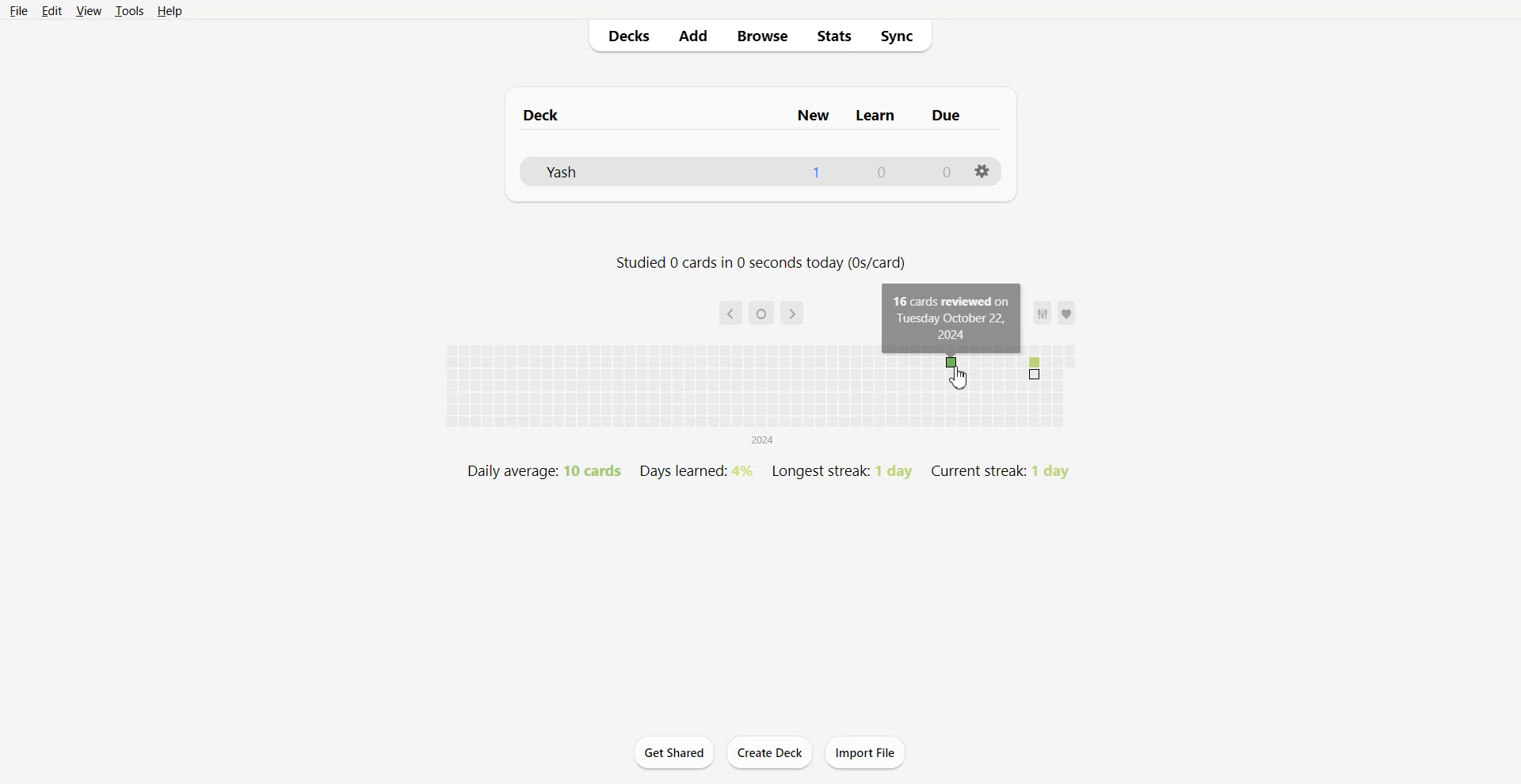  Describe the element at coordinates (950, 363) in the screenshot. I see `card reviewed` at that location.